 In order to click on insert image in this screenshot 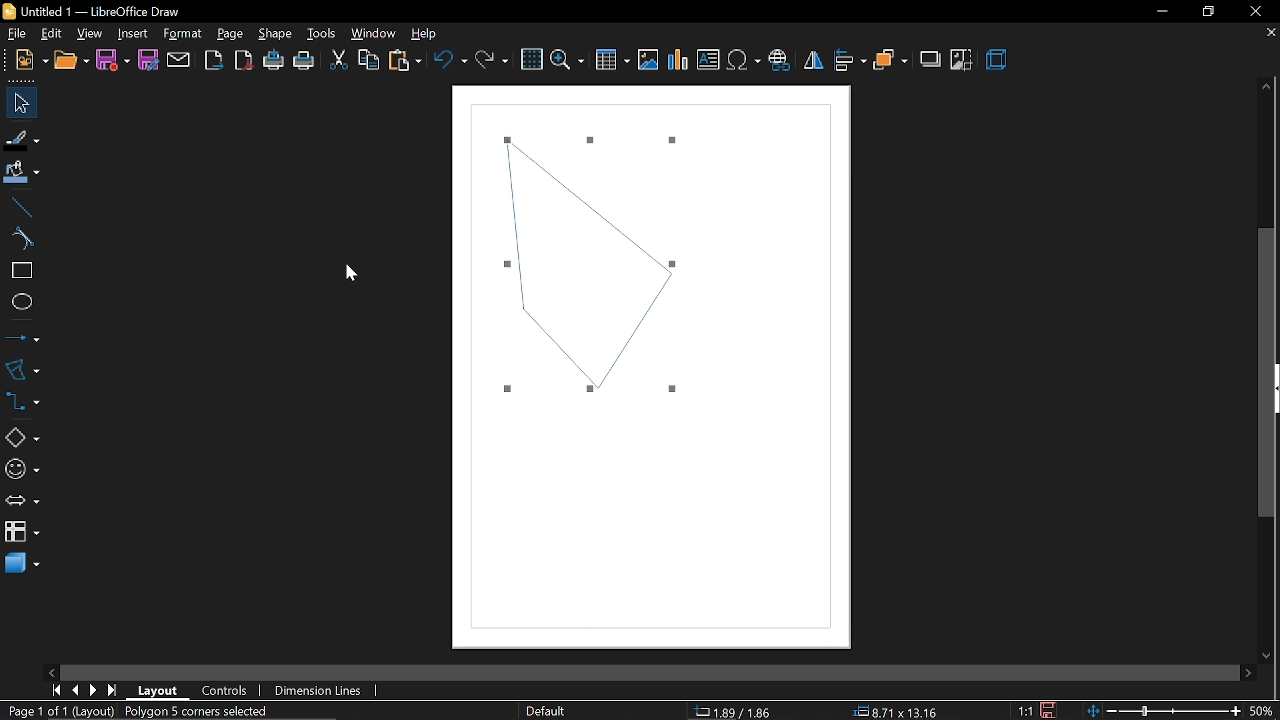, I will do `click(650, 60)`.